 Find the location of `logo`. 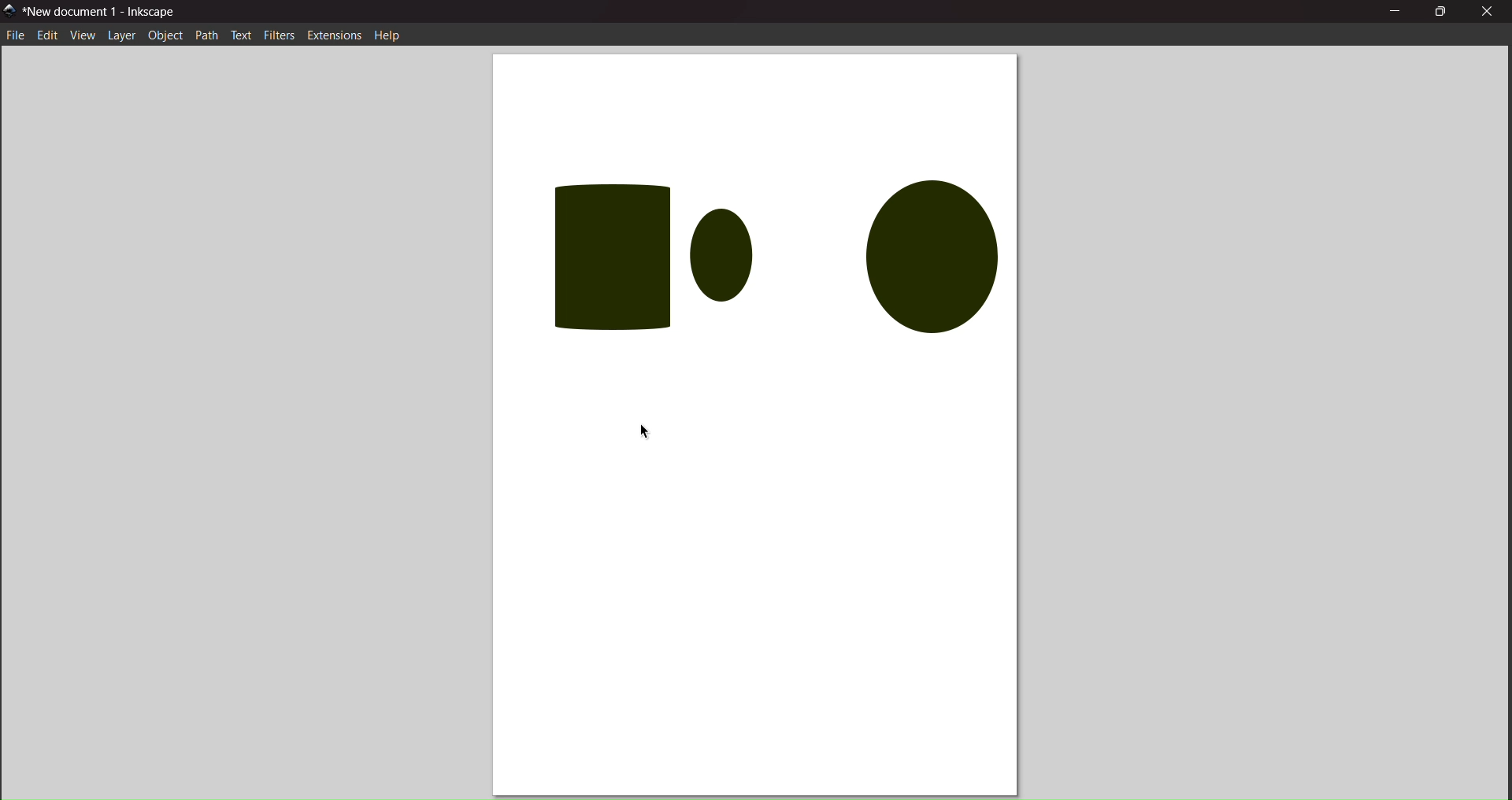

logo is located at coordinates (11, 10).